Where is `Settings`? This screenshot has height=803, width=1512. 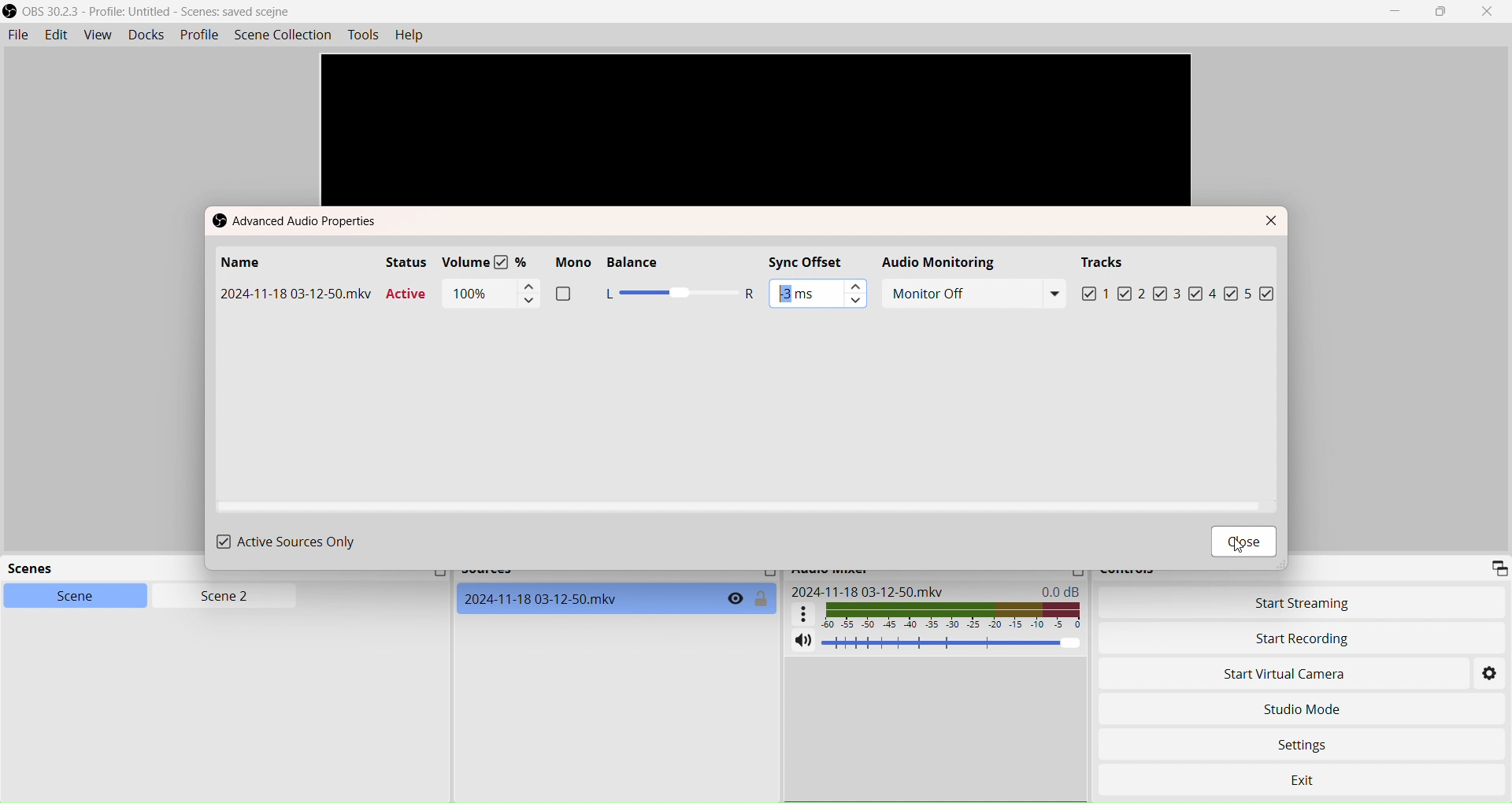
Settings is located at coordinates (1491, 675).